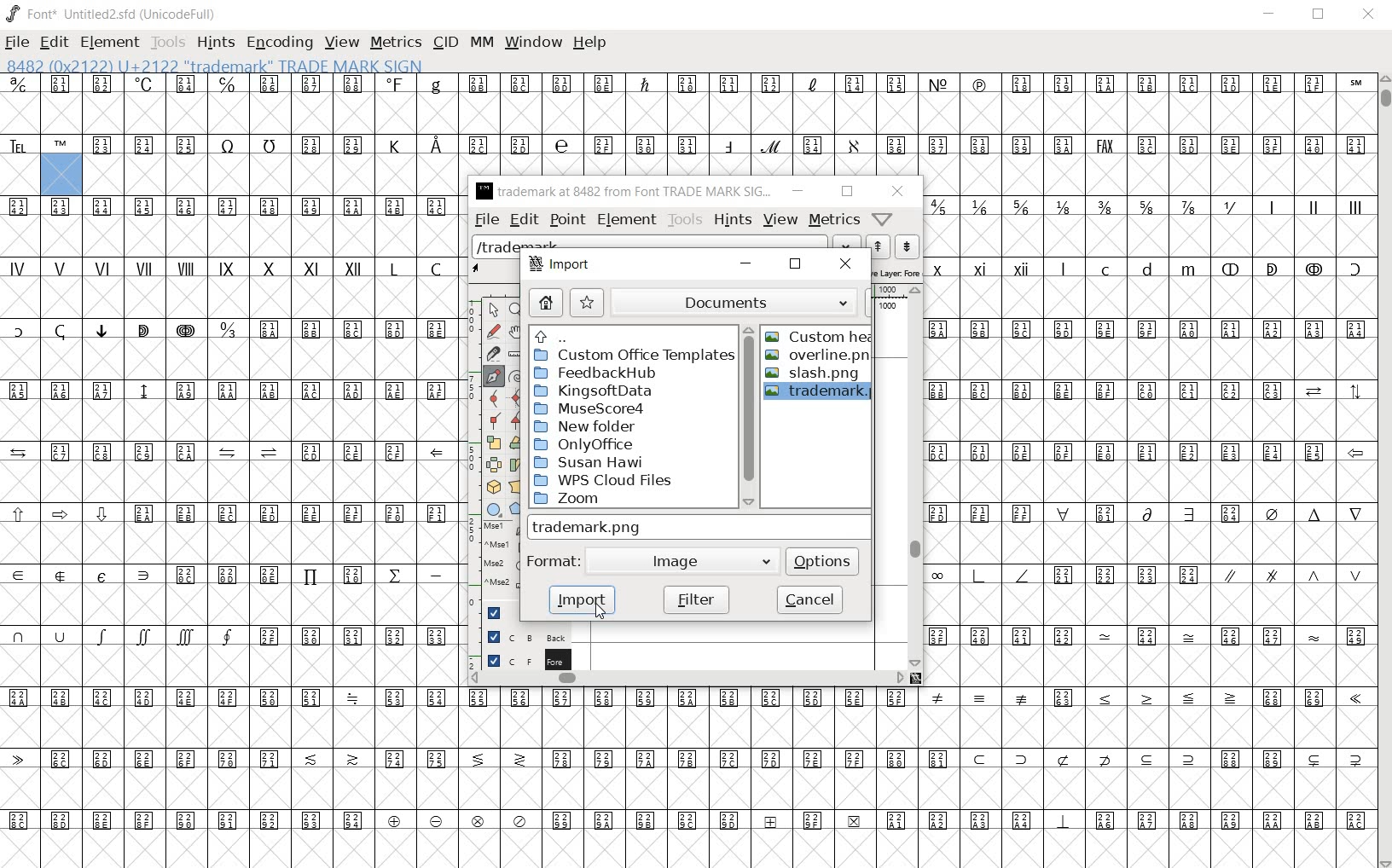 This screenshot has height=868, width=1392. I want to click on tools, so click(683, 220).